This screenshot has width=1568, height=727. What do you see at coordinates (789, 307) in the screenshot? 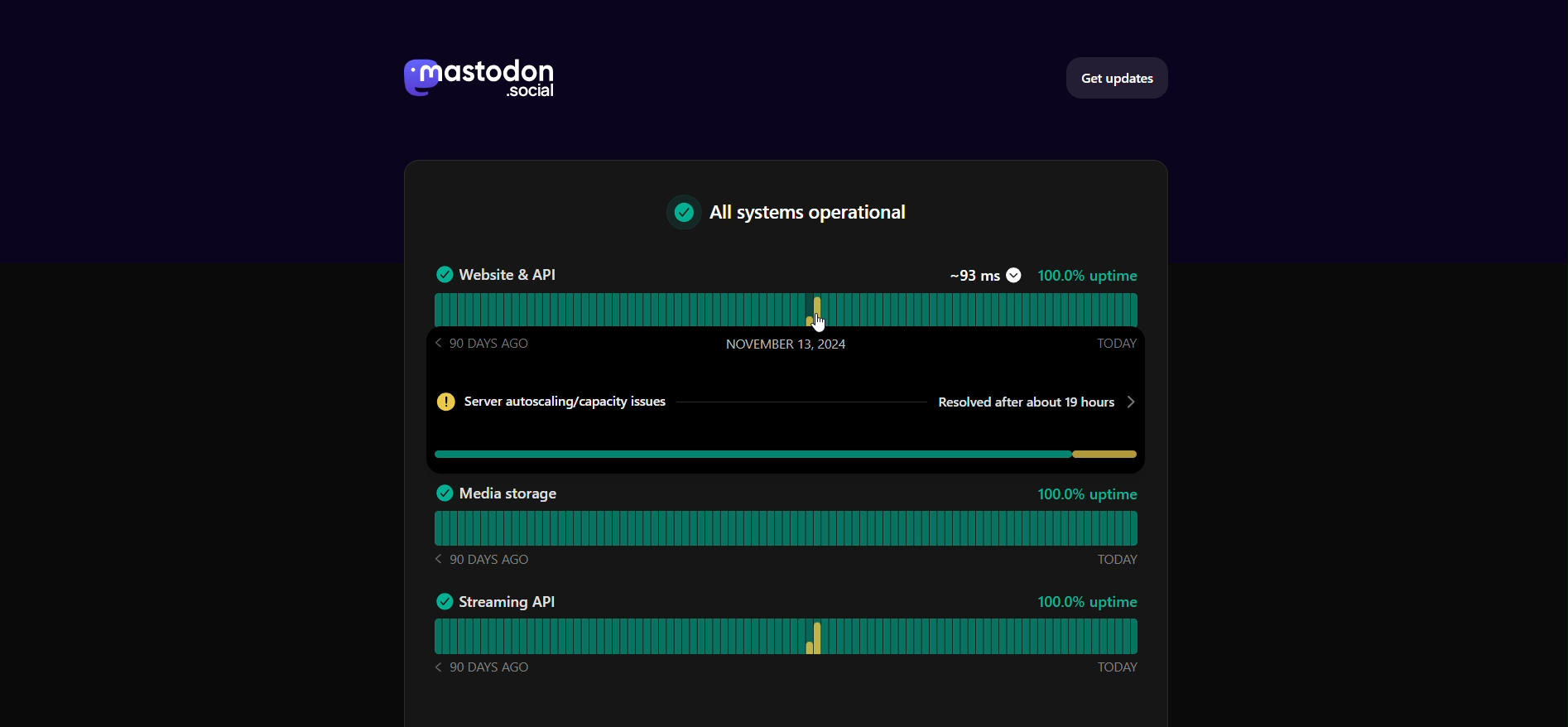
I see `website and API status` at bounding box center [789, 307].